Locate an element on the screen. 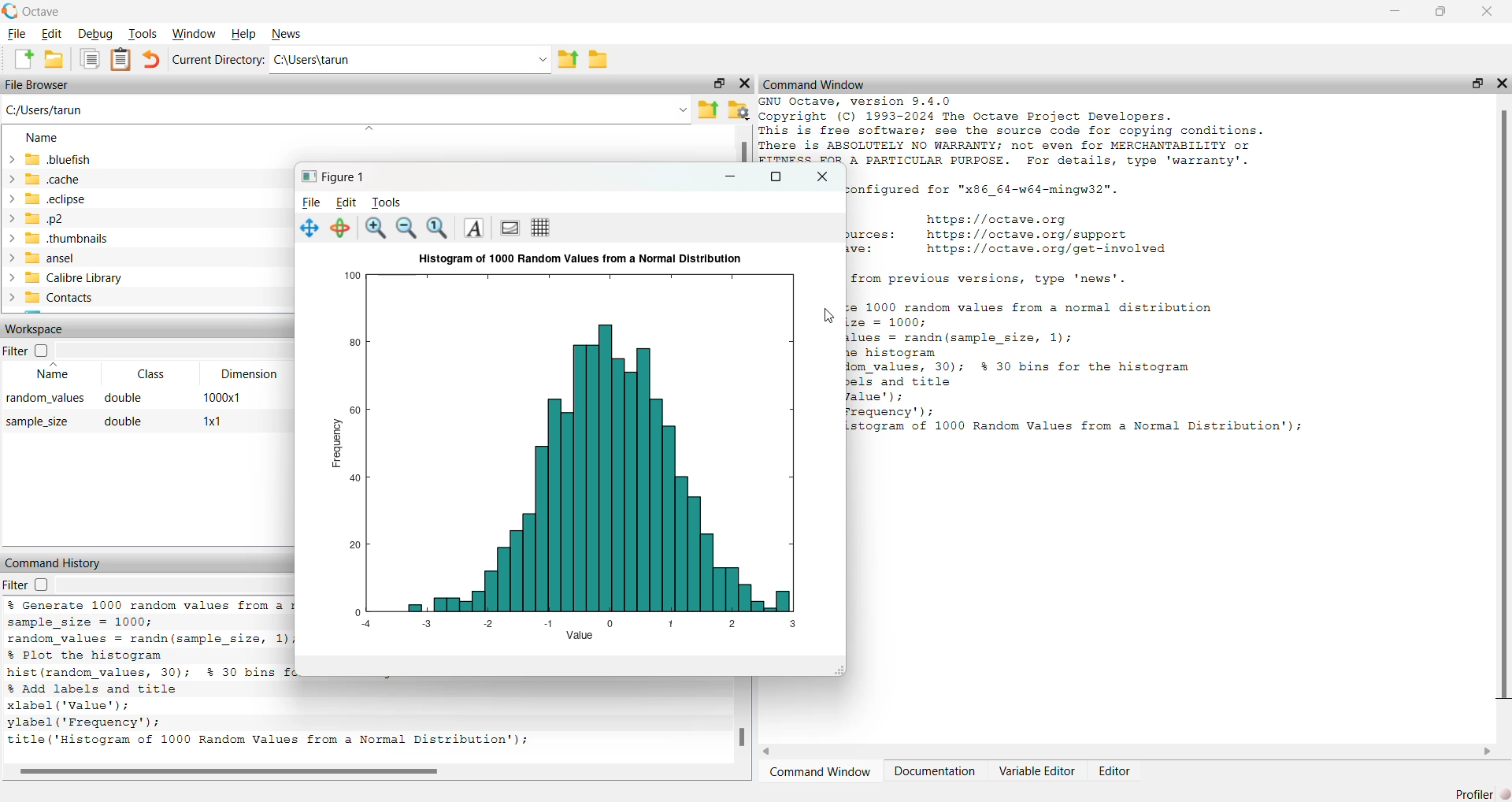 This screenshot has width=1512, height=802. Folder is located at coordinates (599, 60).